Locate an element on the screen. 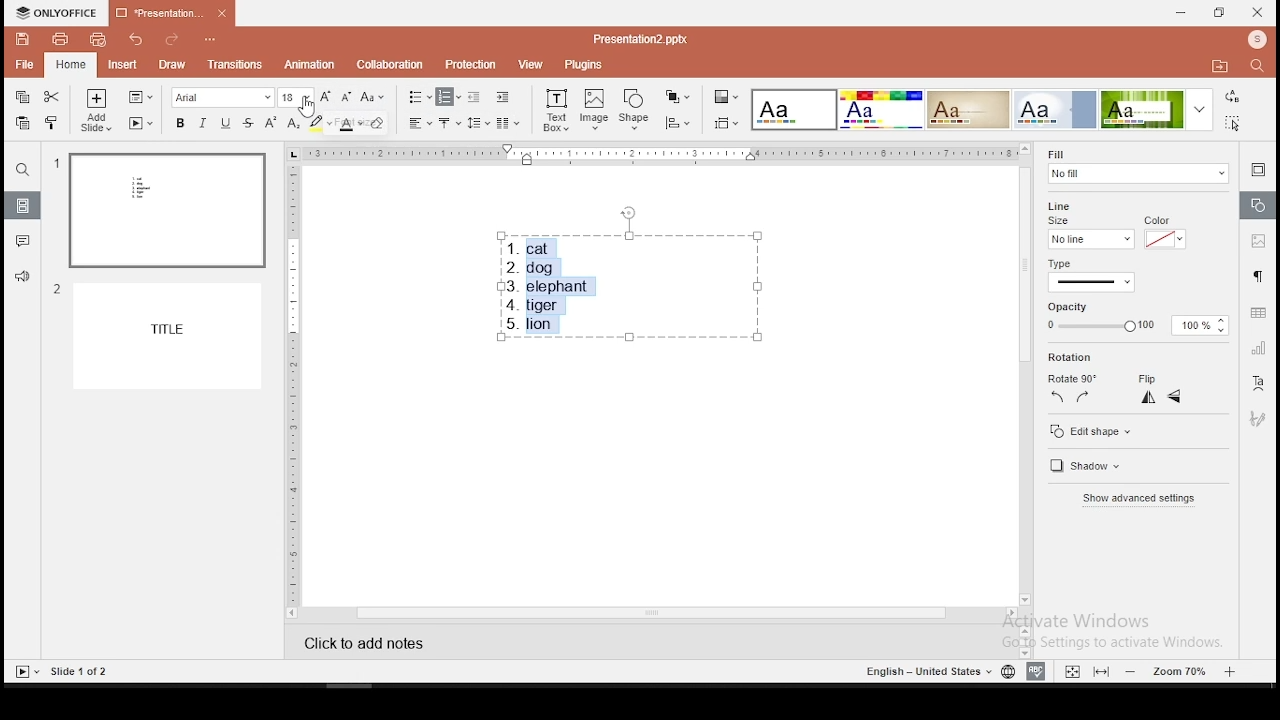  add slide is located at coordinates (94, 110).